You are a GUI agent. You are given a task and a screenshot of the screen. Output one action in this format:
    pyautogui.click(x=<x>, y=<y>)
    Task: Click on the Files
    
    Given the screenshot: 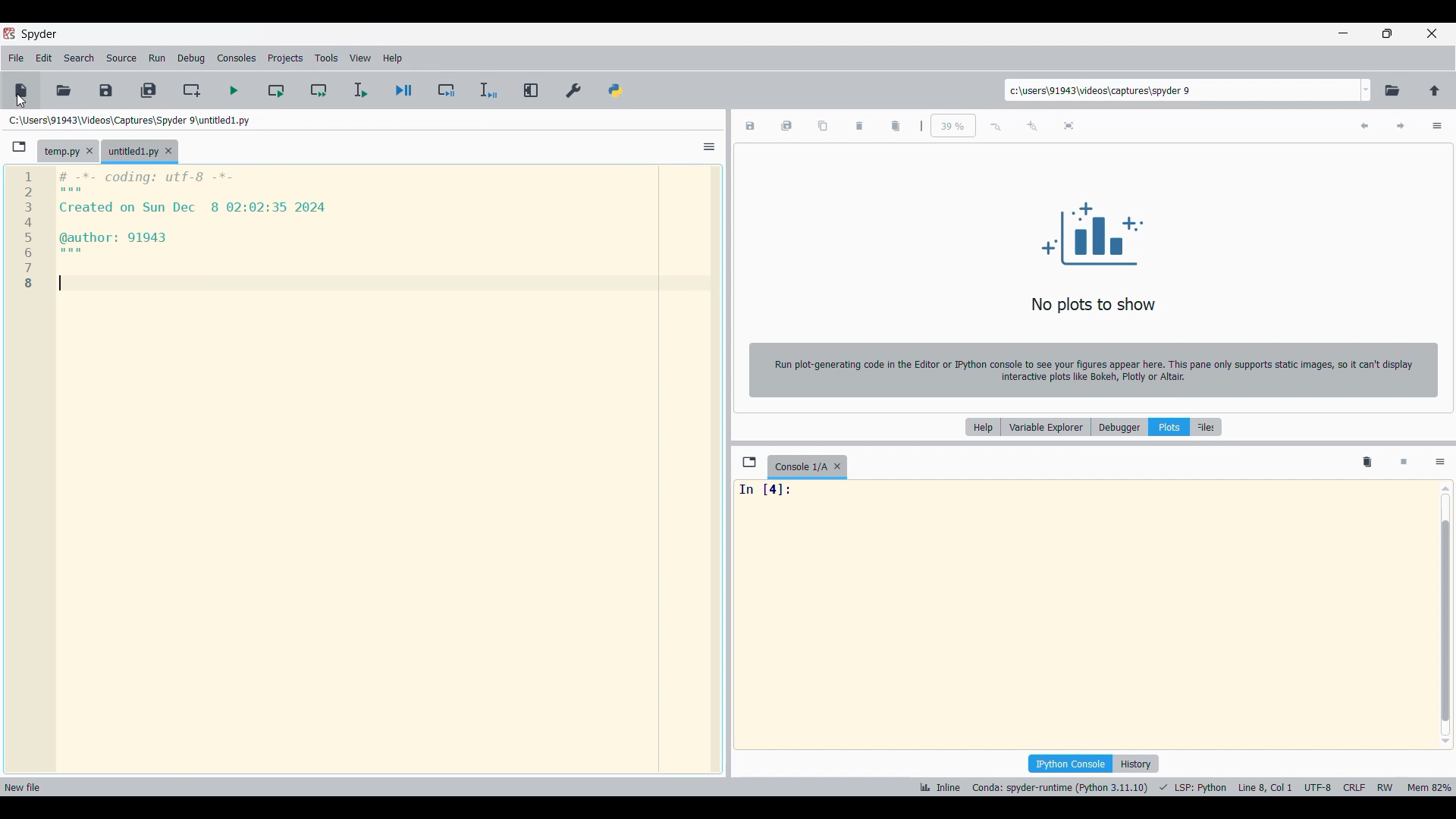 What is the action you would take?
    pyautogui.click(x=1209, y=427)
    